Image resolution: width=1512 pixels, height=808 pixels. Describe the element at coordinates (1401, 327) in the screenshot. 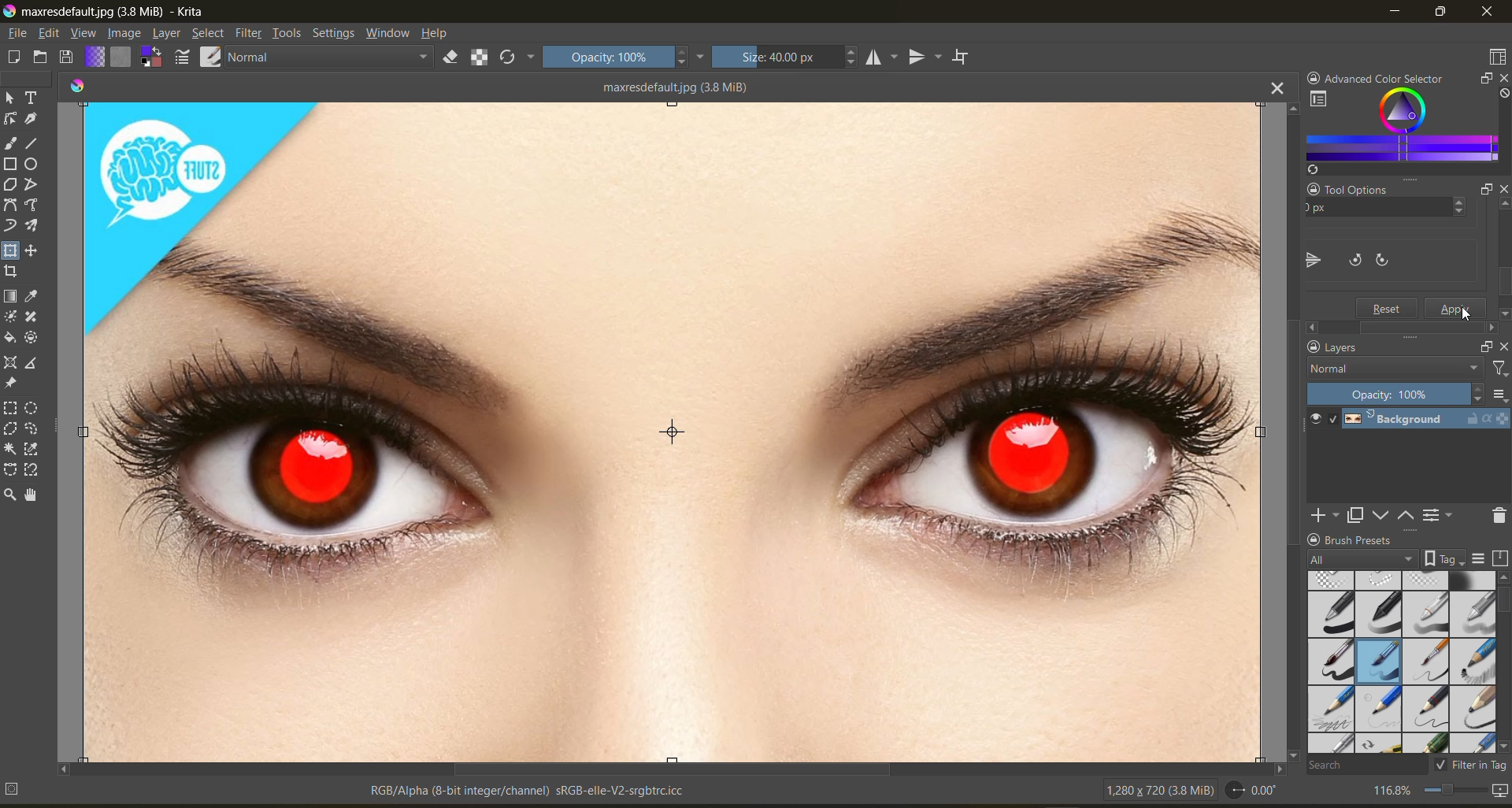

I see `Scroll bar` at that location.